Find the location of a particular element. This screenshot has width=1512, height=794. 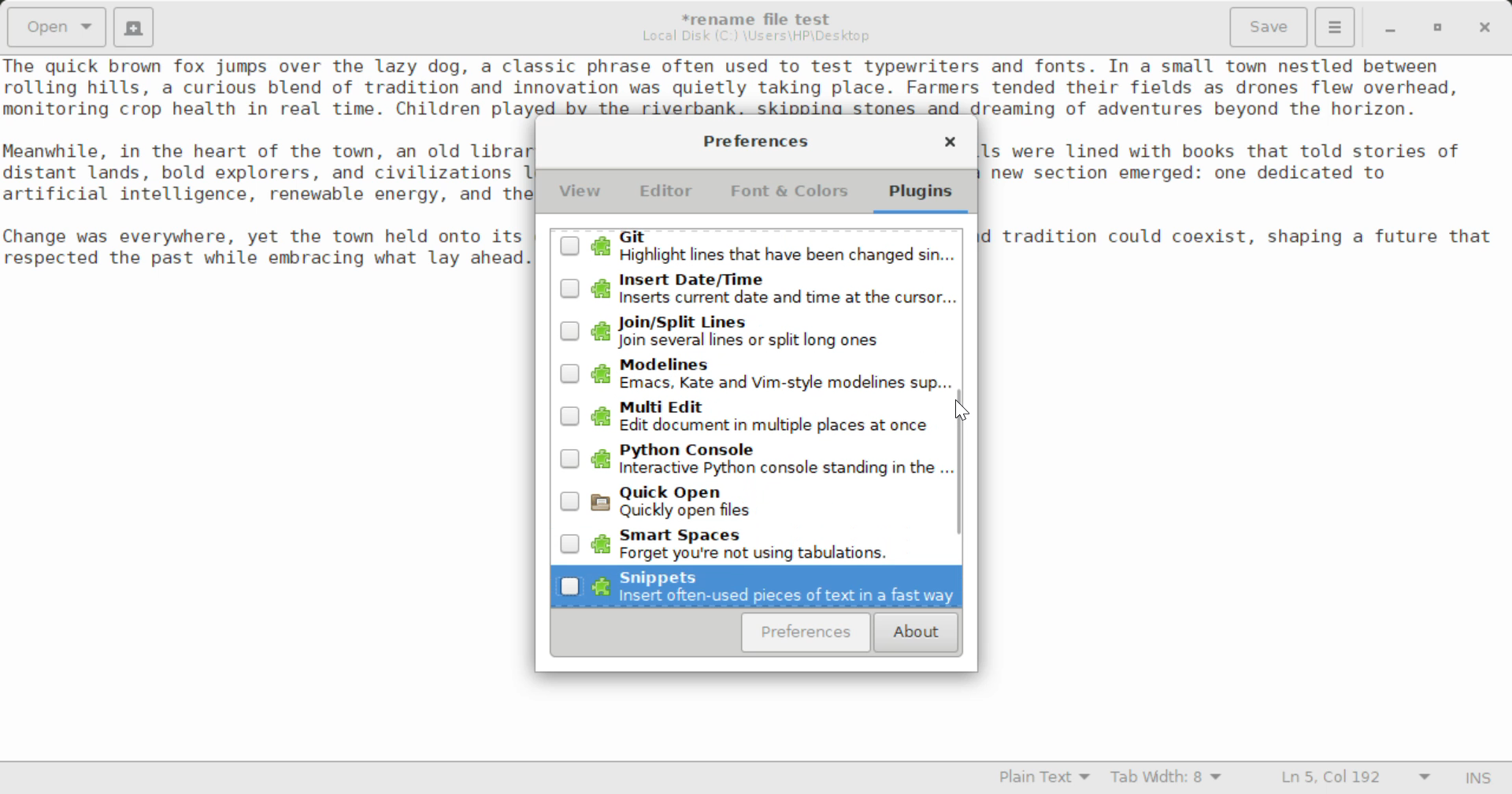

Tab Width  is located at coordinates (1169, 779).